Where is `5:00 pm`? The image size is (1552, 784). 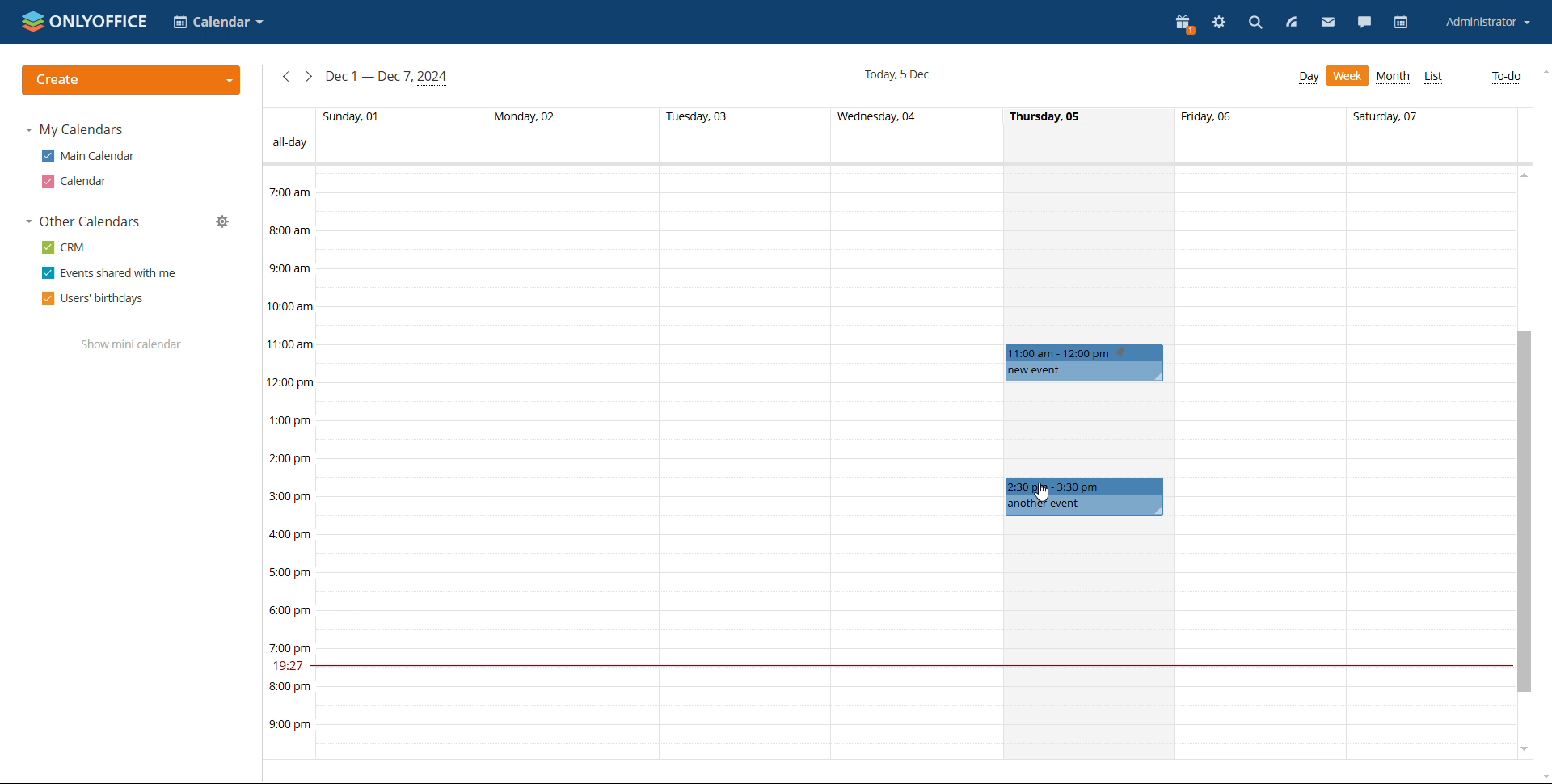 5:00 pm is located at coordinates (289, 571).